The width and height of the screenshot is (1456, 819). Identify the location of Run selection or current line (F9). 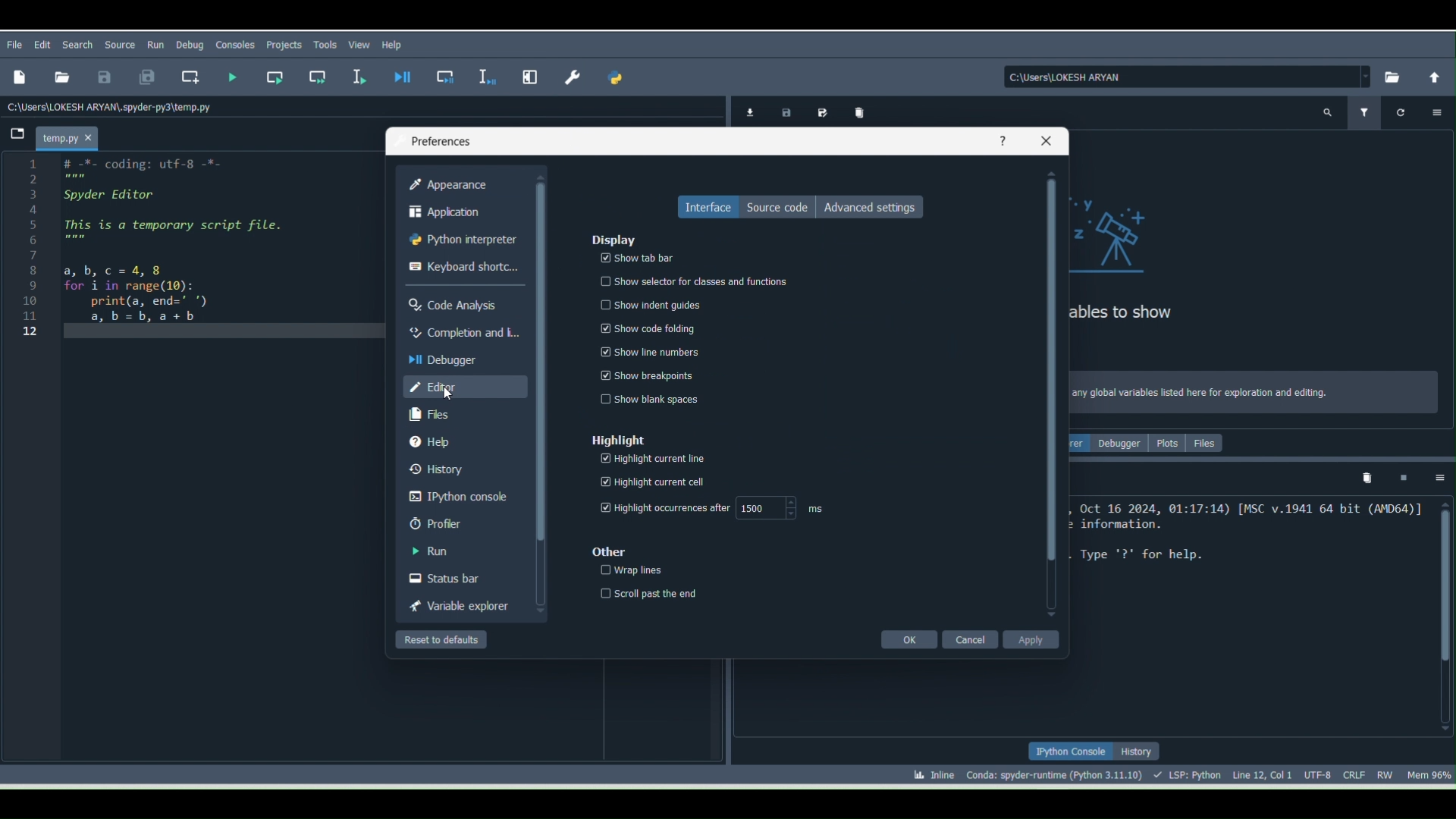
(360, 78).